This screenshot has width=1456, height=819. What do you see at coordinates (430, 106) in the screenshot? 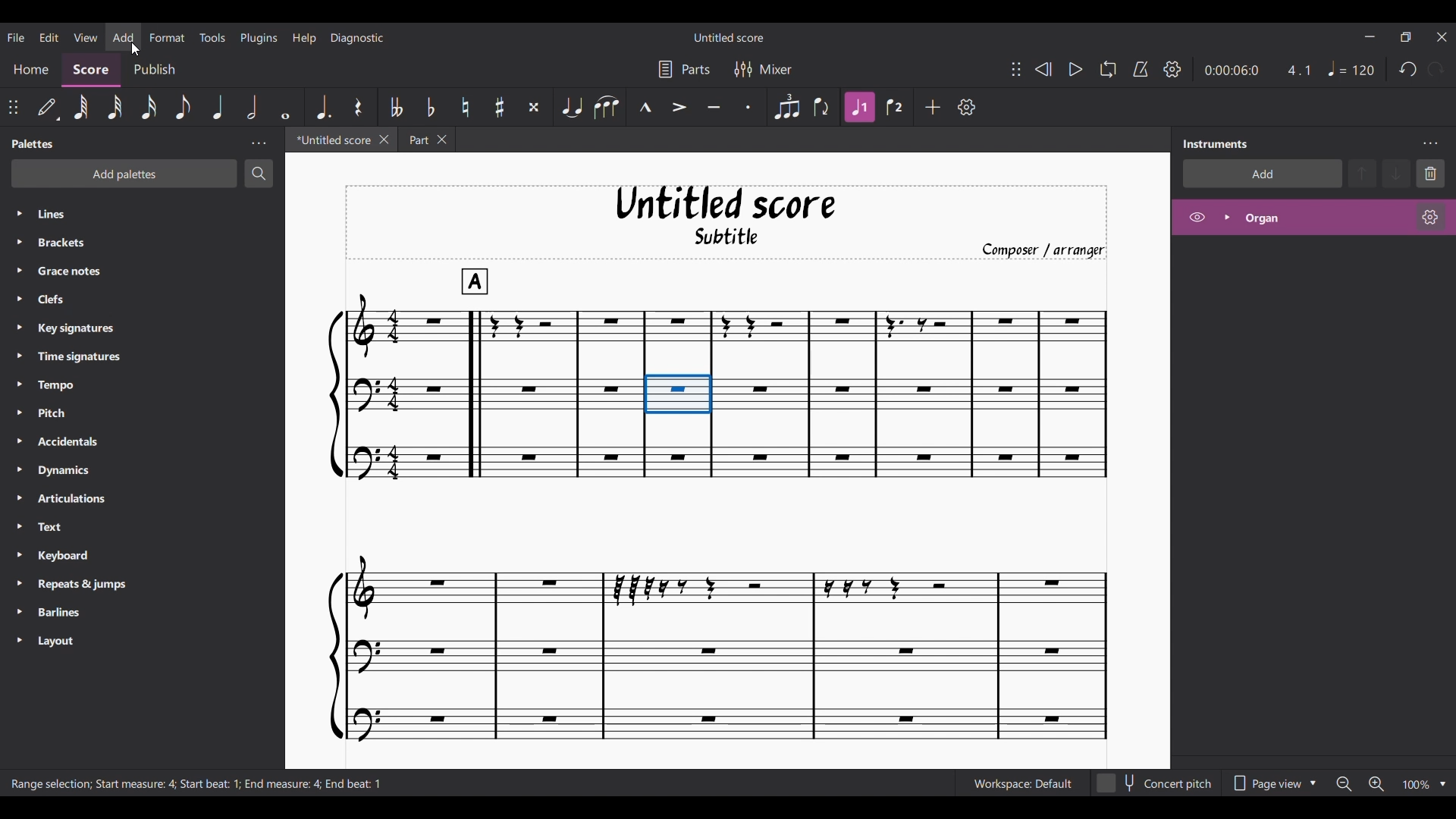
I see `Toggle flat` at bounding box center [430, 106].